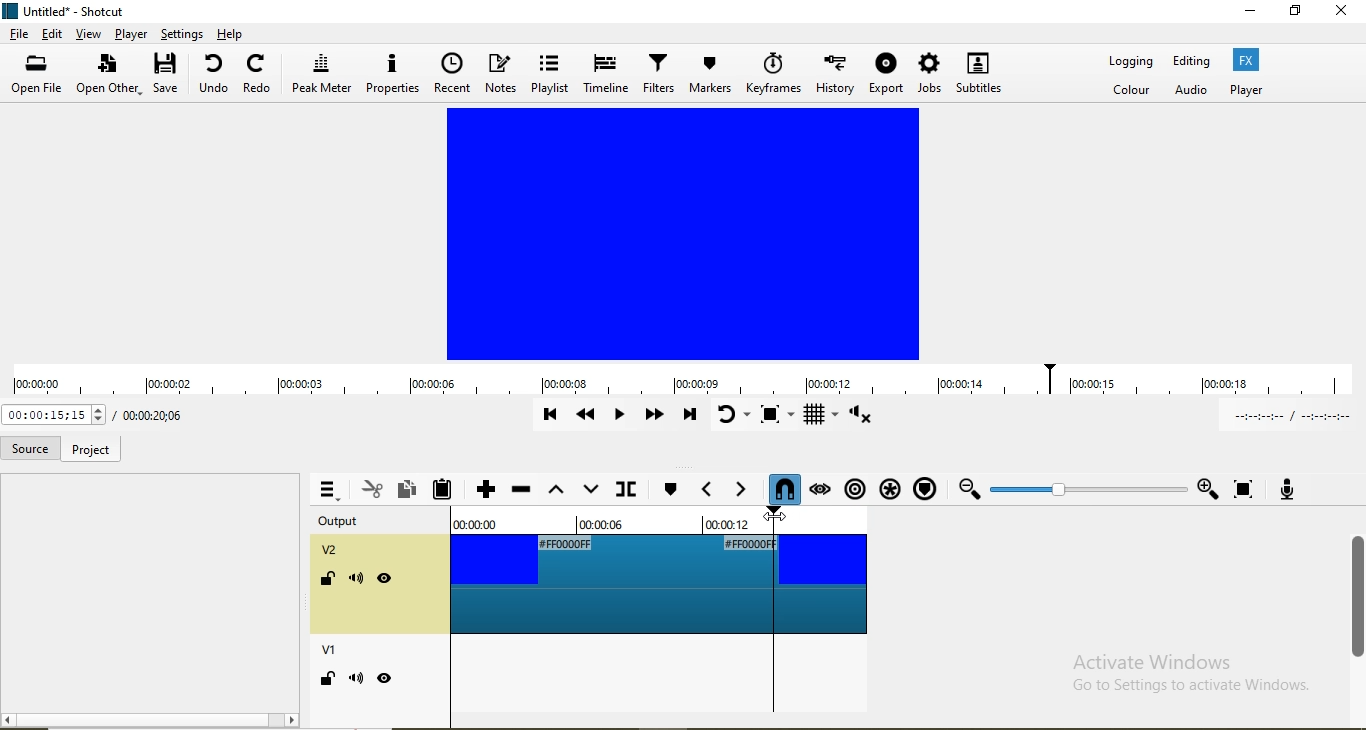 Image resolution: width=1366 pixels, height=730 pixels. I want to click on , so click(734, 416).